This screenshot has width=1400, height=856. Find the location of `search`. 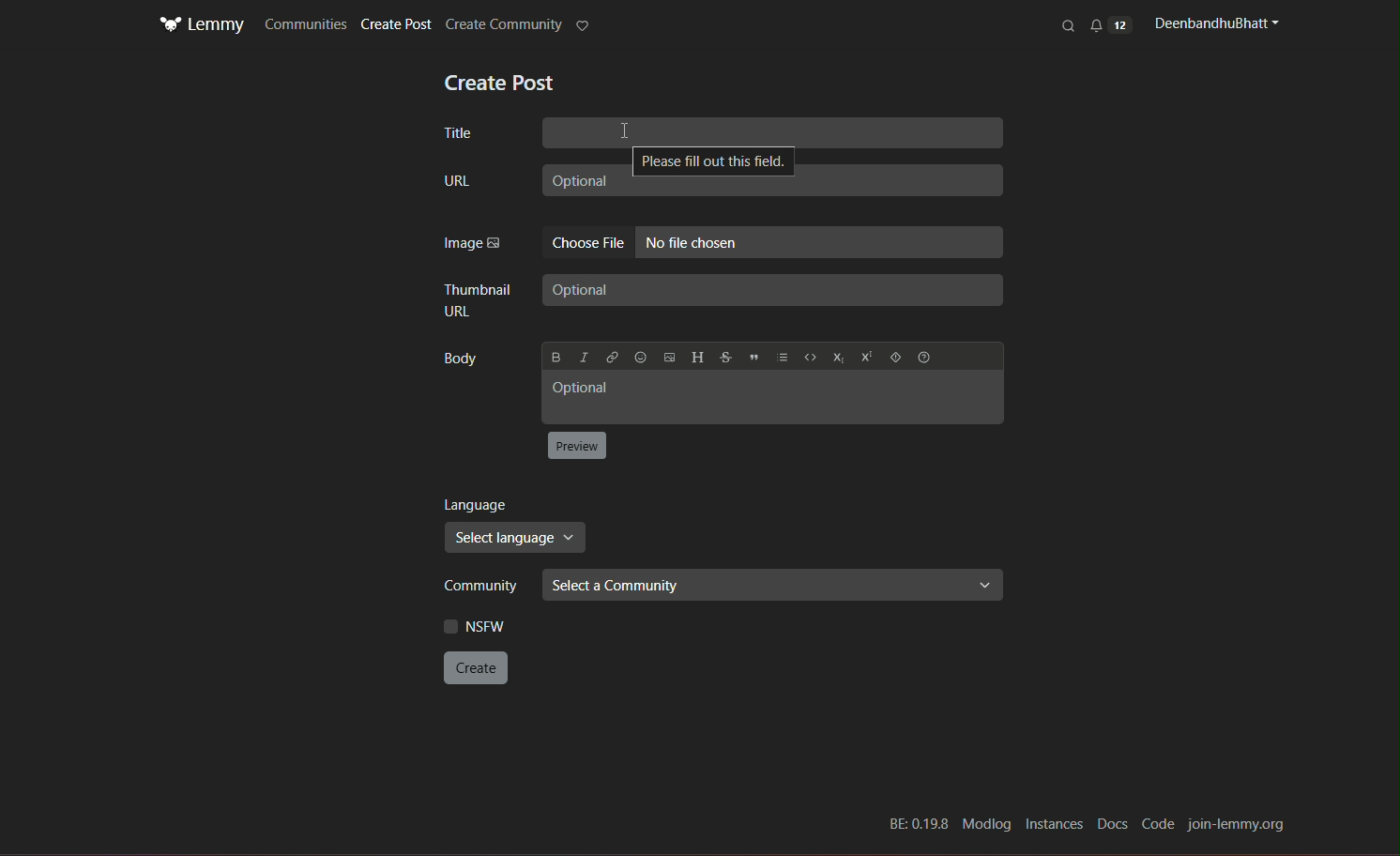

search is located at coordinates (1070, 25).